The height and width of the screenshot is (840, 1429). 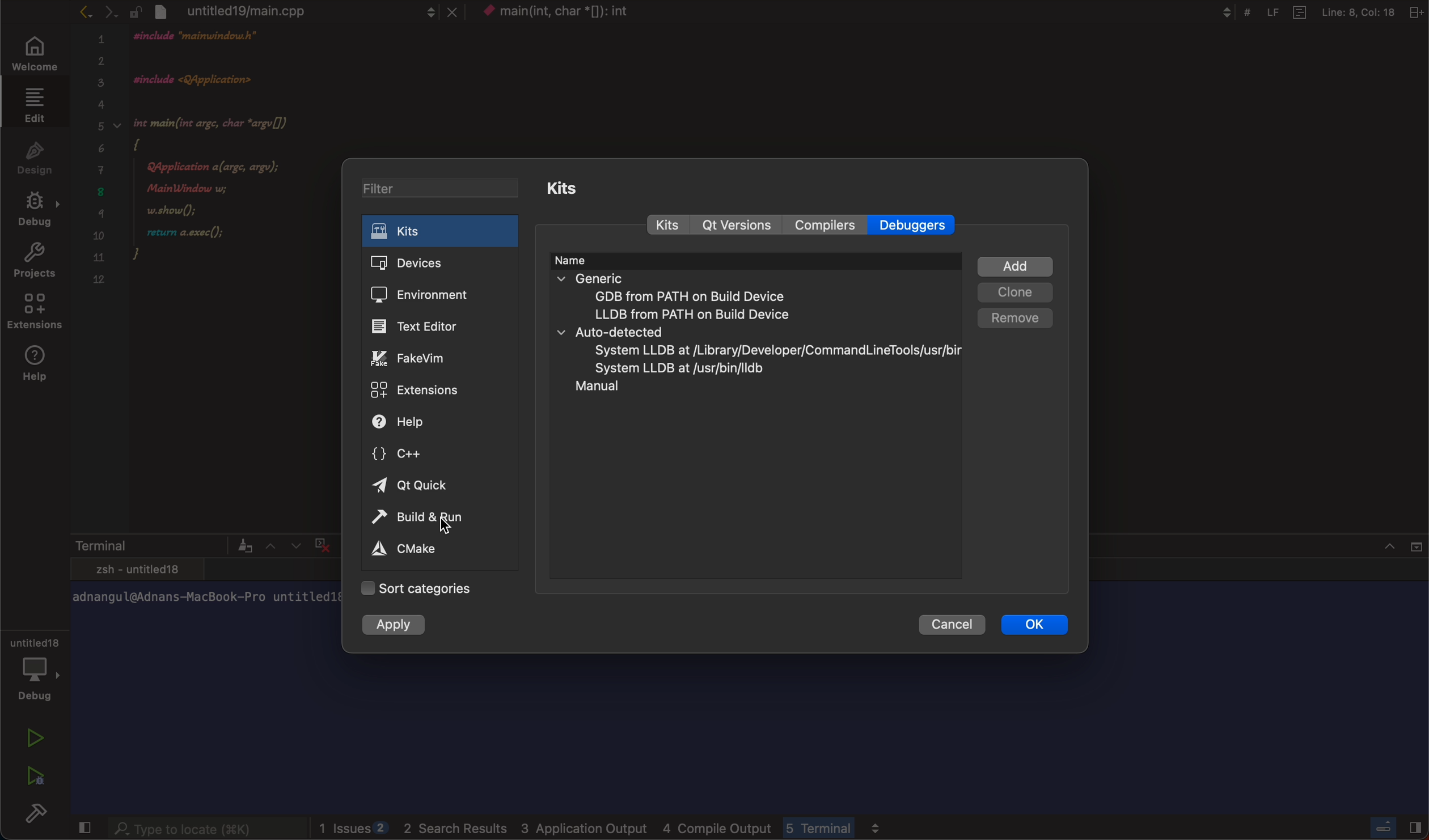 I want to click on kits, so click(x=574, y=188).